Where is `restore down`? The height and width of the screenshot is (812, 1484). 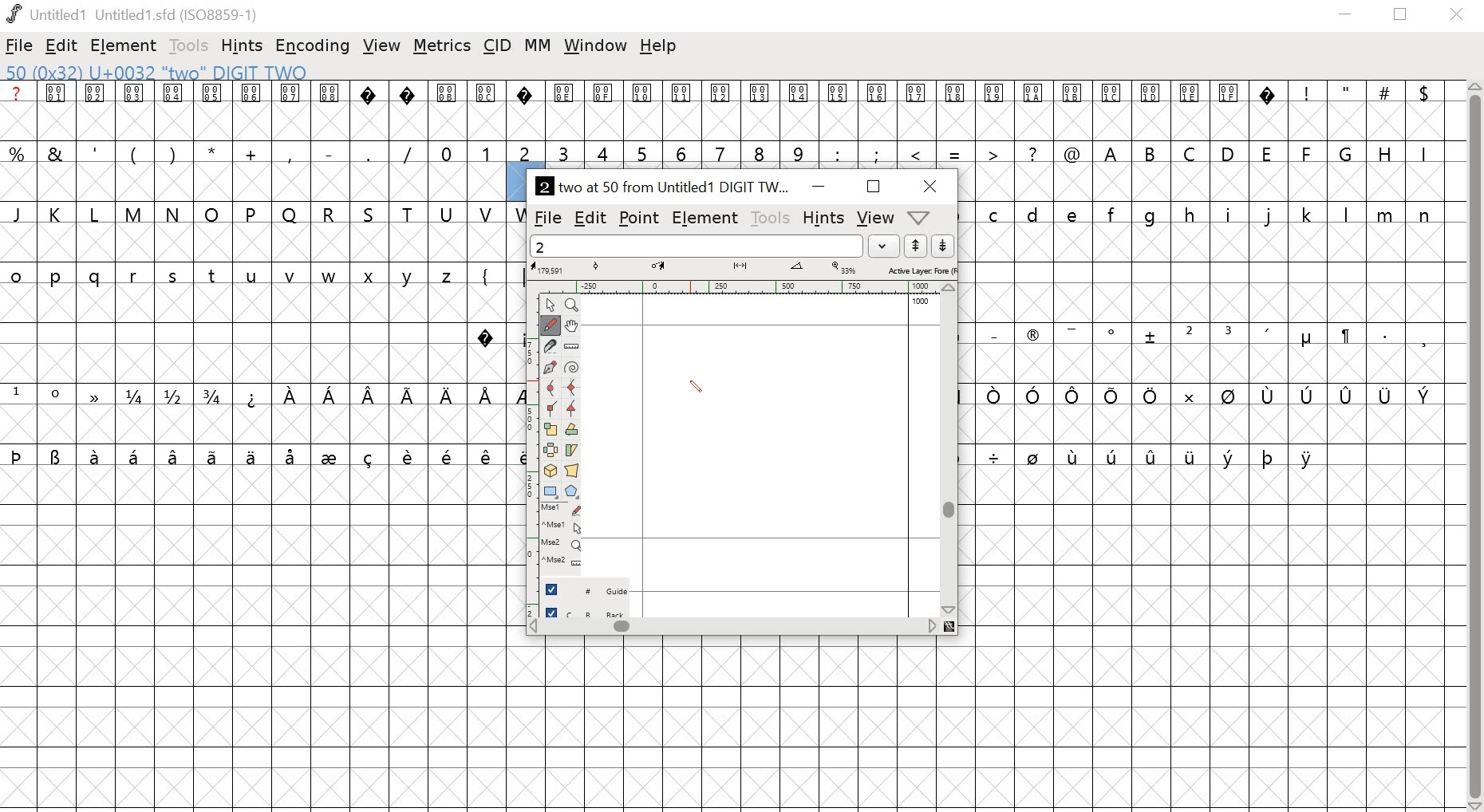 restore down is located at coordinates (1405, 17).